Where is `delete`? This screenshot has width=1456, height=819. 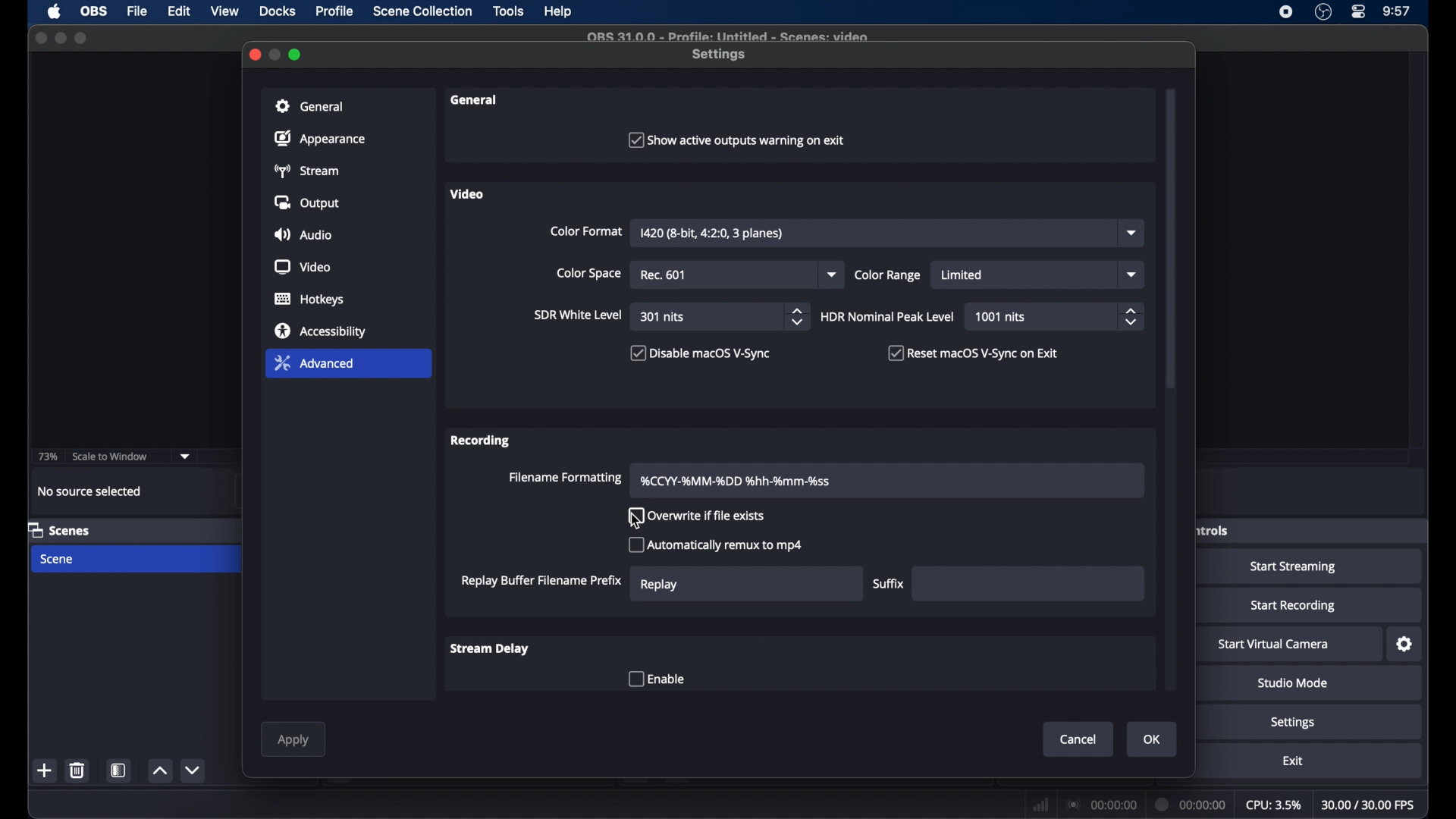 delete is located at coordinates (80, 770).